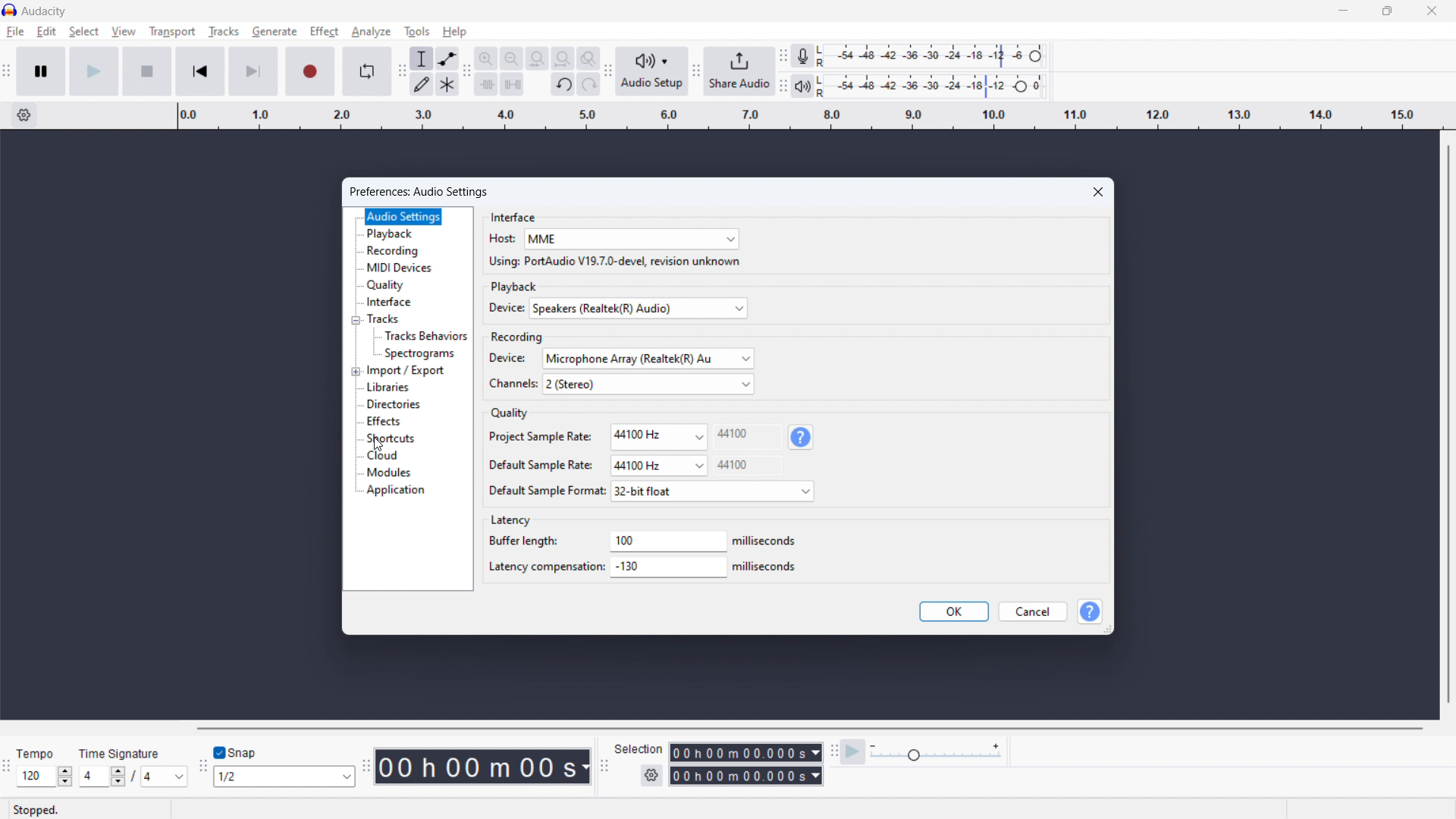 Image resolution: width=1456 pixels, height=819 pixels. What do you see at coordinates (447, 59) in the screenshot?
I see `envelop tool` at bounding box center [447, 59].